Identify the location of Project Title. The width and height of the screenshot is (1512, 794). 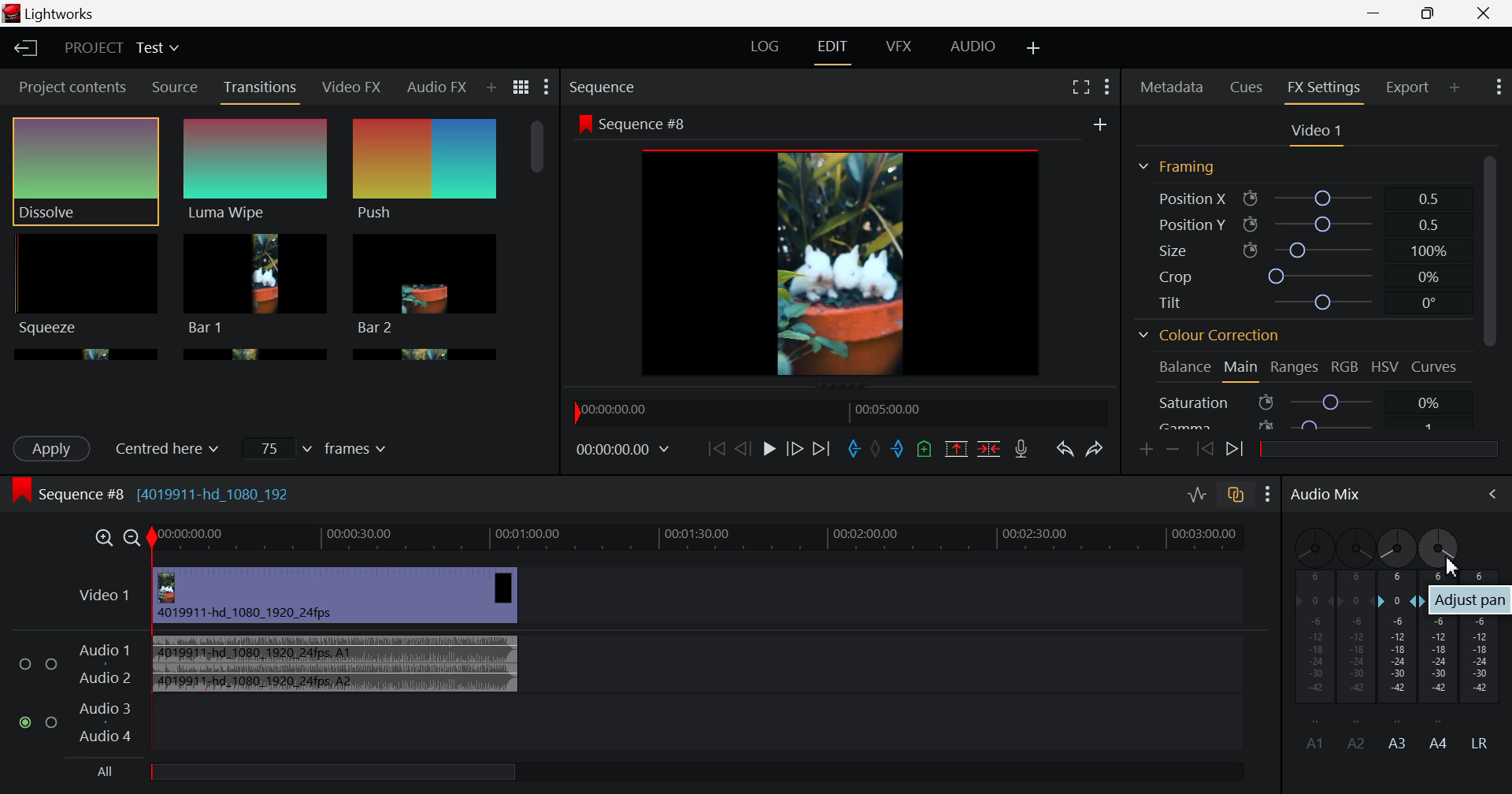
(124, 48).